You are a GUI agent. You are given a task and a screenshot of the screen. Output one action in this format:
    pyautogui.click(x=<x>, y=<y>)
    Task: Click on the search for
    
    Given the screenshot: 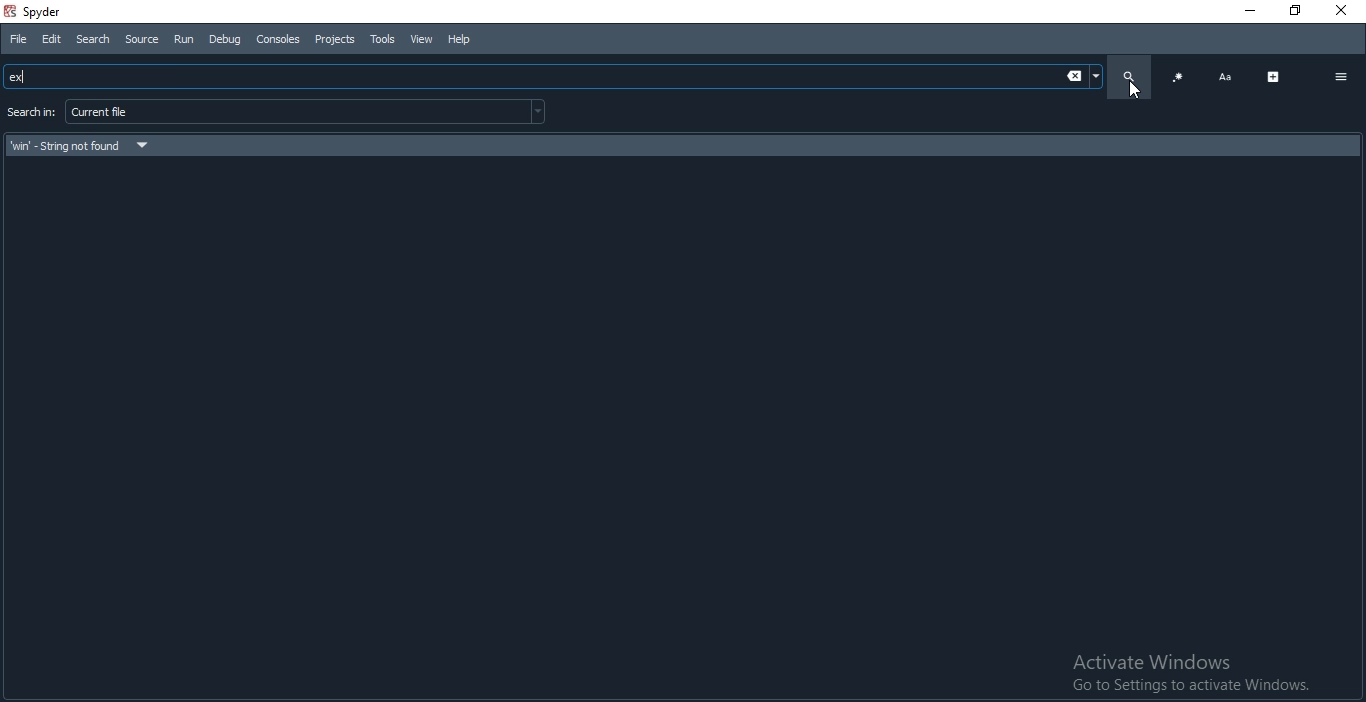 What is the action you would take?
    pyautogui.click(x=30, y=114)
    